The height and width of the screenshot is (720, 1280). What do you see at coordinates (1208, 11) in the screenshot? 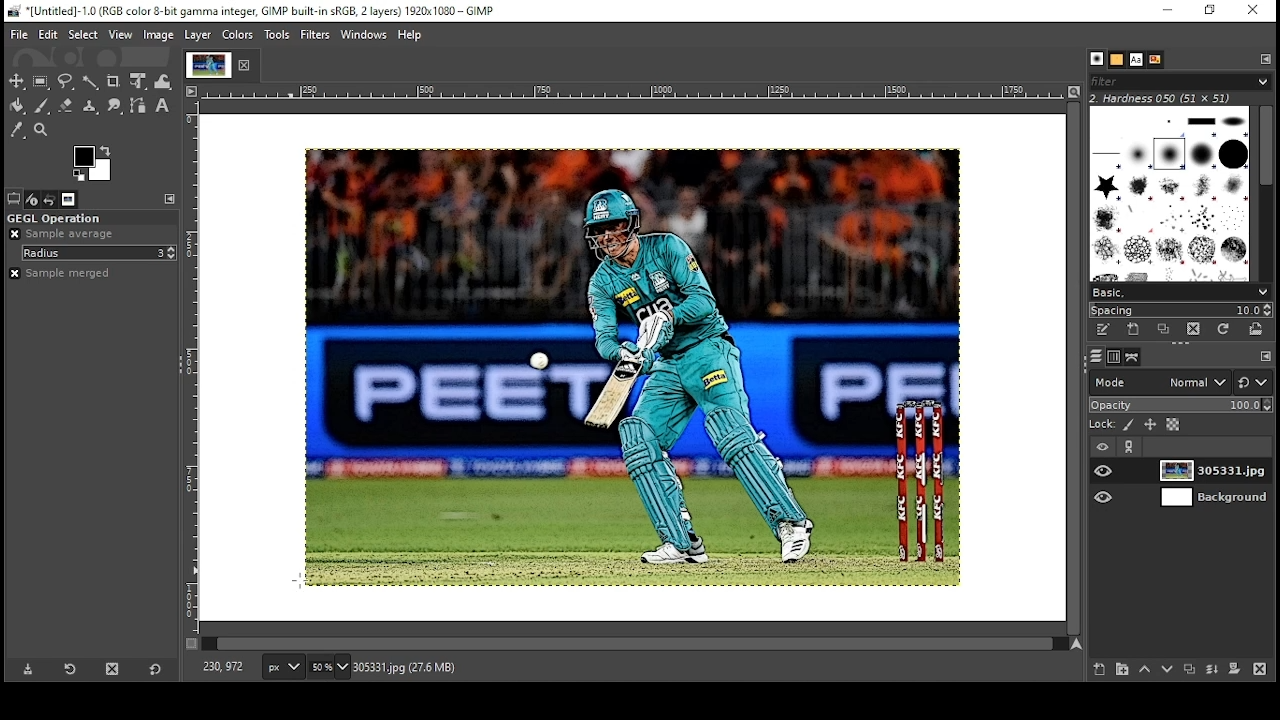
I see `restore` at bounding box center [1208, 11].